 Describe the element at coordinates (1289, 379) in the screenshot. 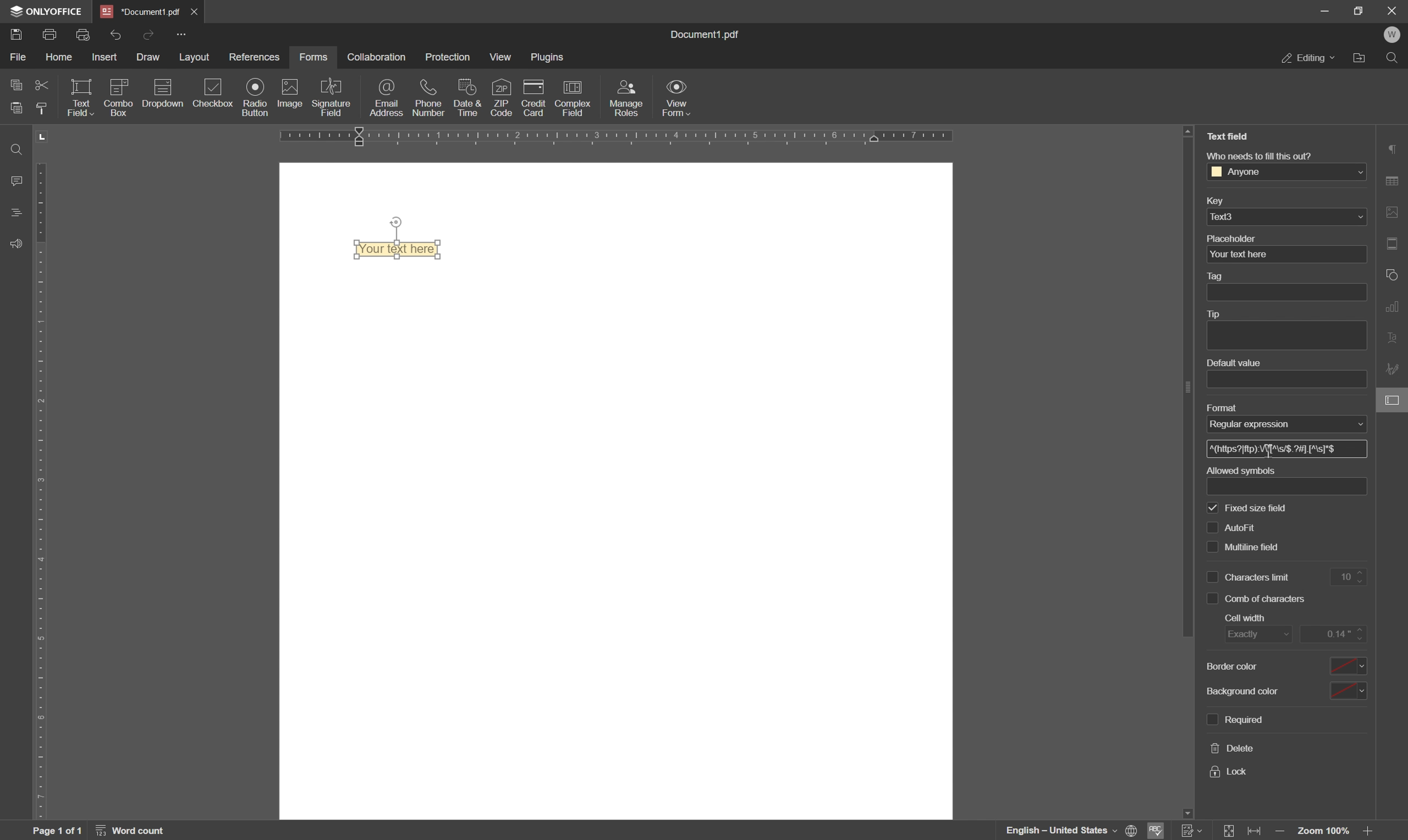

I see `default value textbox` at that location.